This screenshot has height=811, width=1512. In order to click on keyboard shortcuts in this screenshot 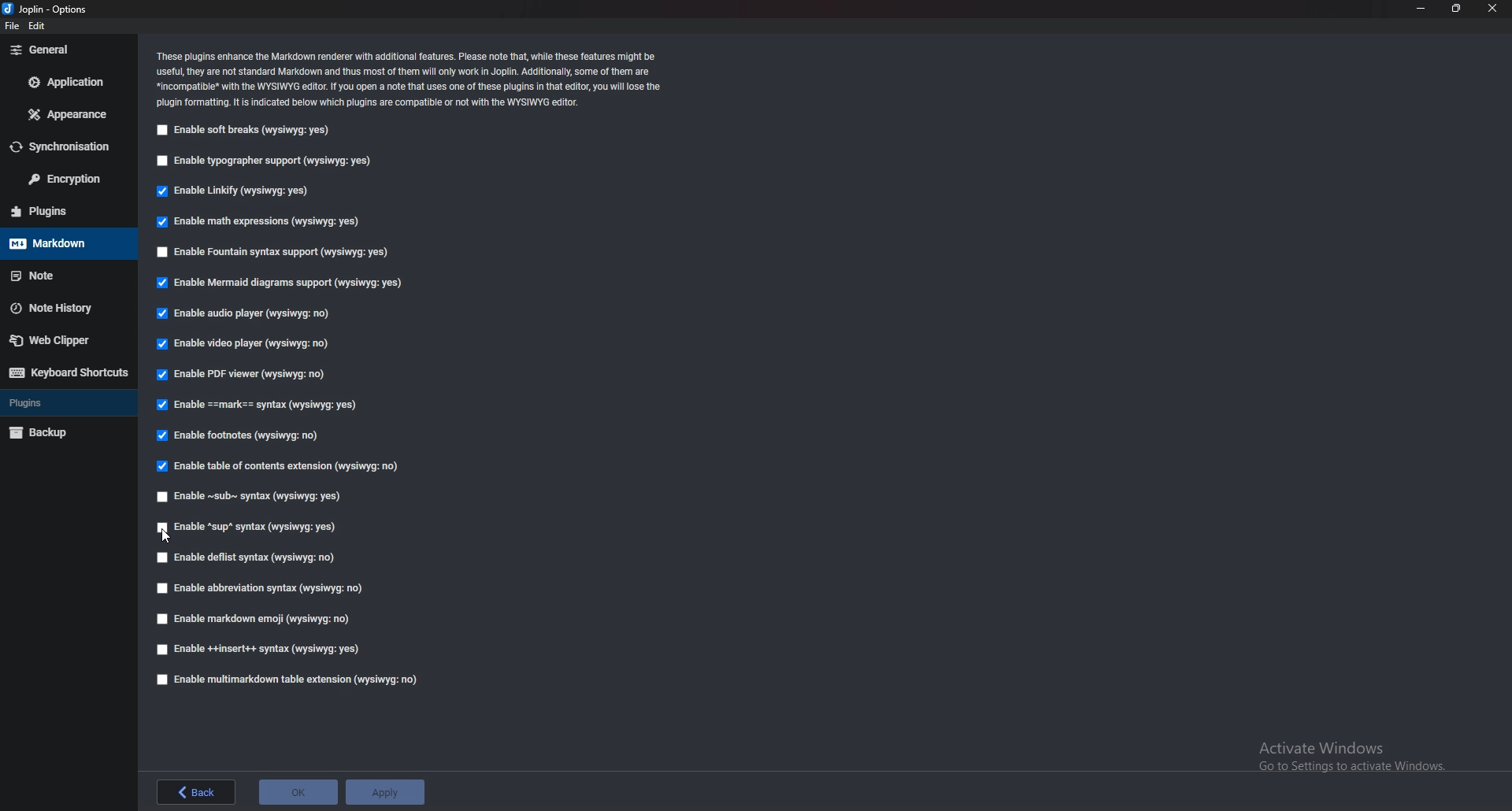, I will do `click(69, 373)`.